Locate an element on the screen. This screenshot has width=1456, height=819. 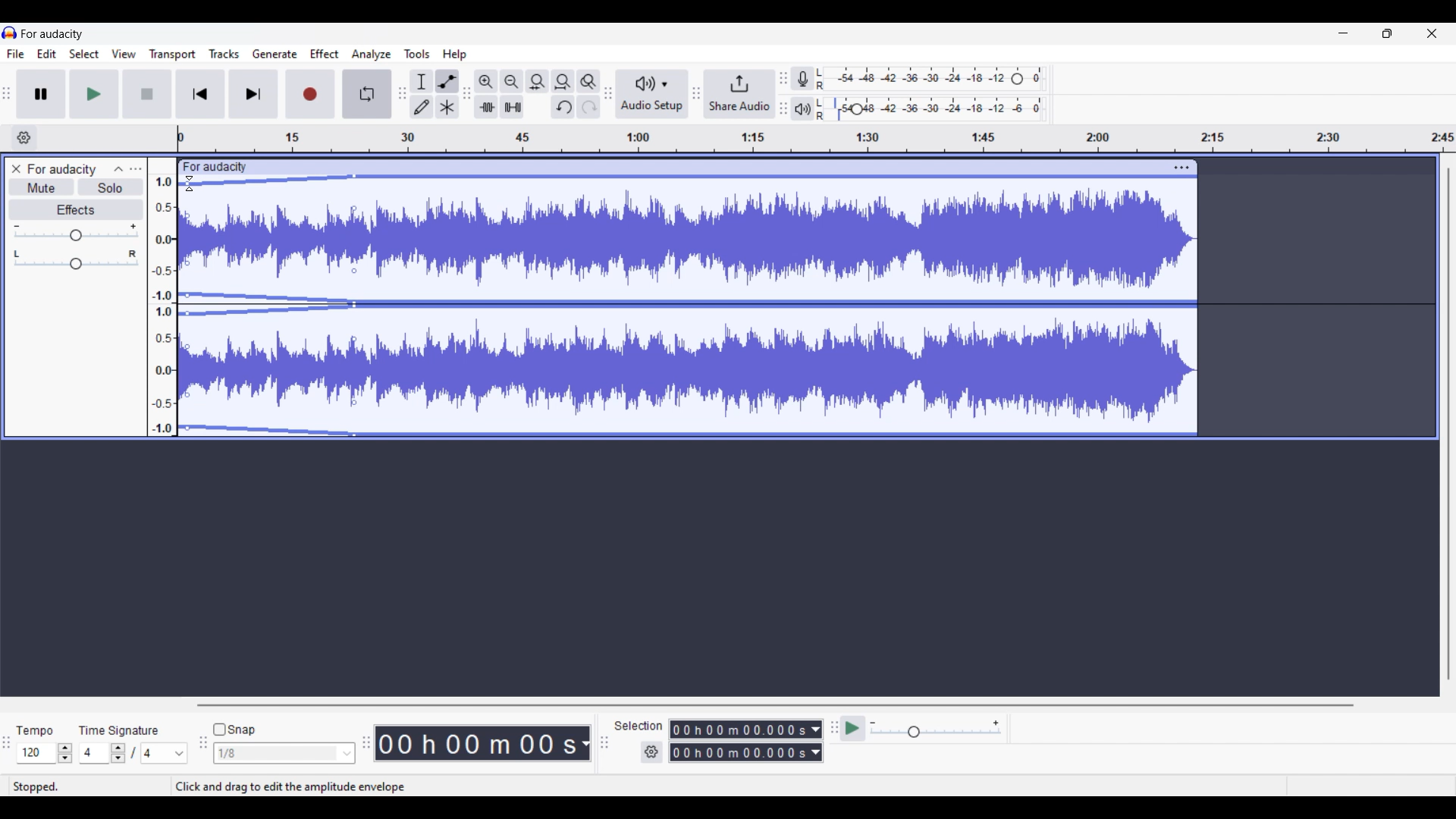
Duration measurement is located at coordinates (817, 741).